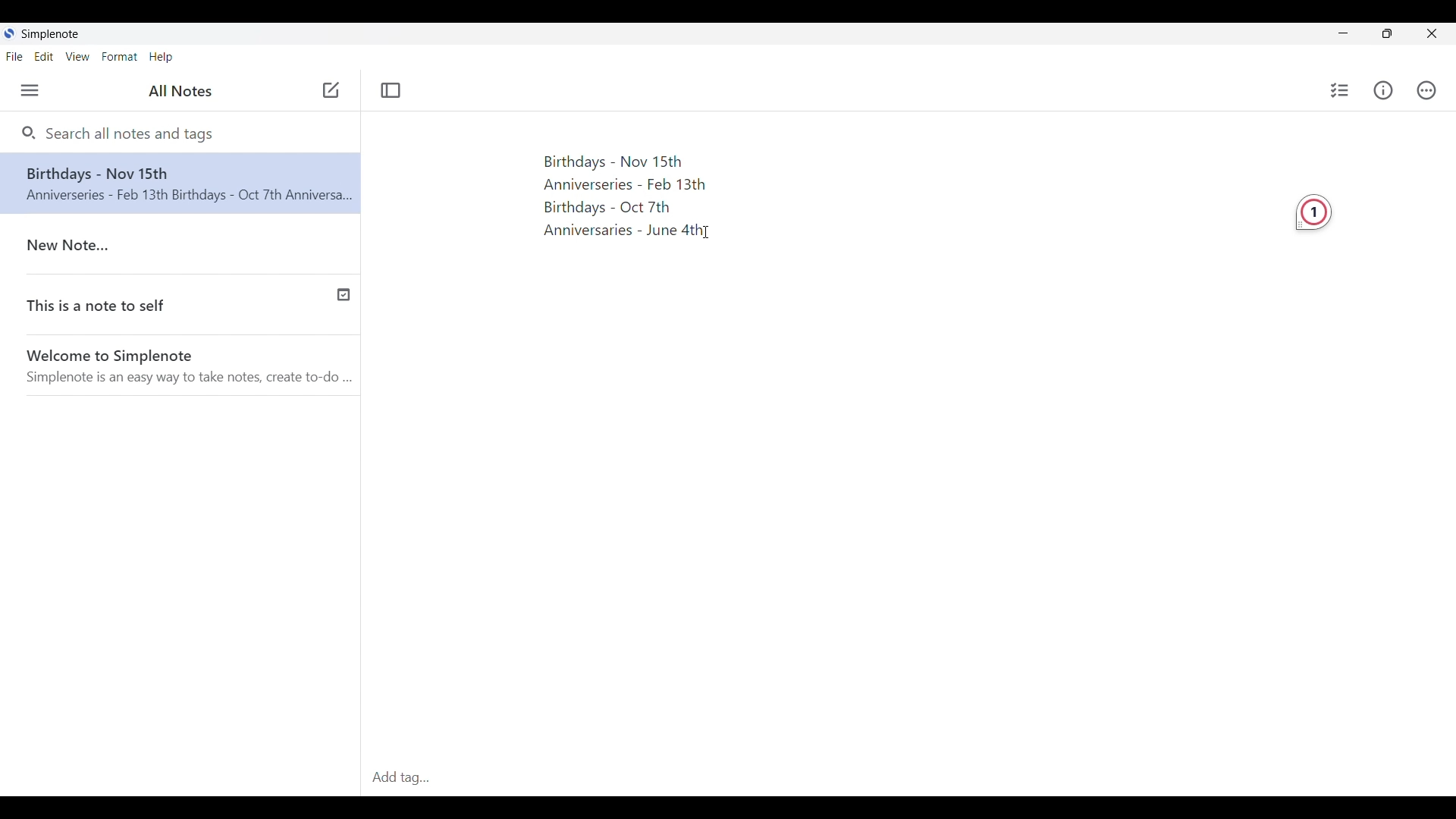 This screenshot has width=1456, height=819. Describe the element at coordinates (1388, 33) in the screenshot. I see `Show interface in a smaller tab` at that location.